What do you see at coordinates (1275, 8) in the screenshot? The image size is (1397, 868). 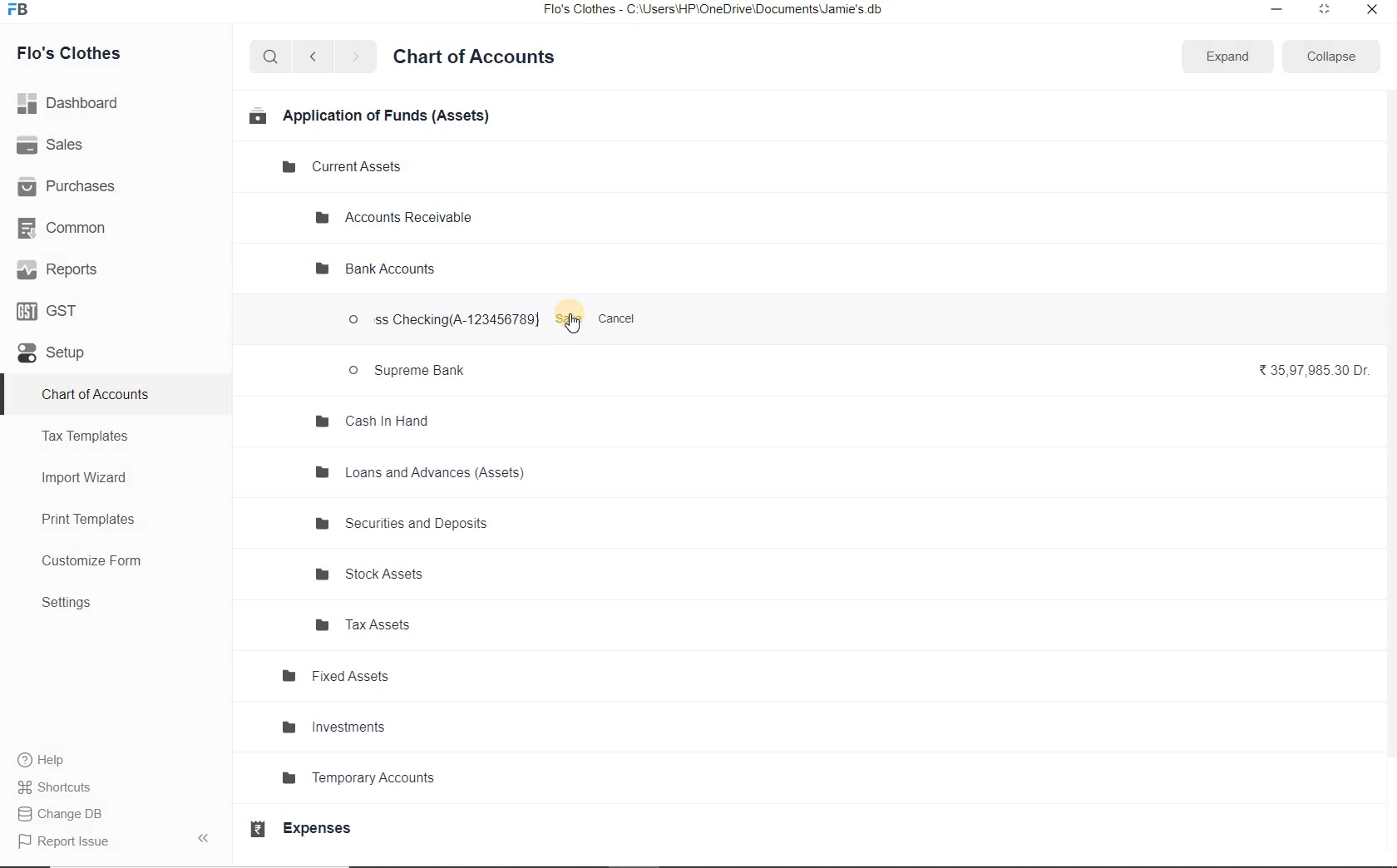 I see `minimize` at bounding box center [1275, 8].